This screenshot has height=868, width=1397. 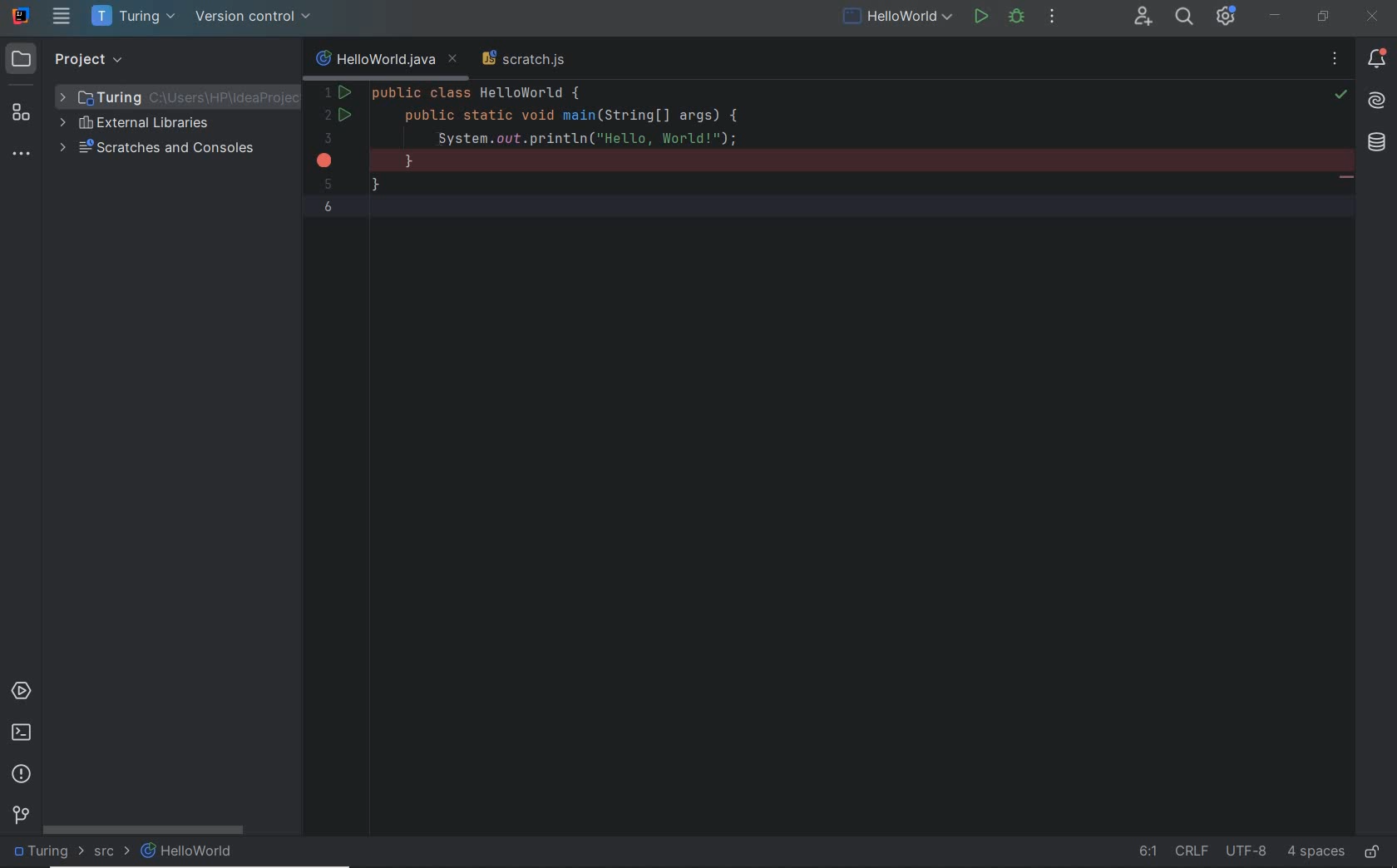 I want to click on restore down, so click(x=1321, y=15).